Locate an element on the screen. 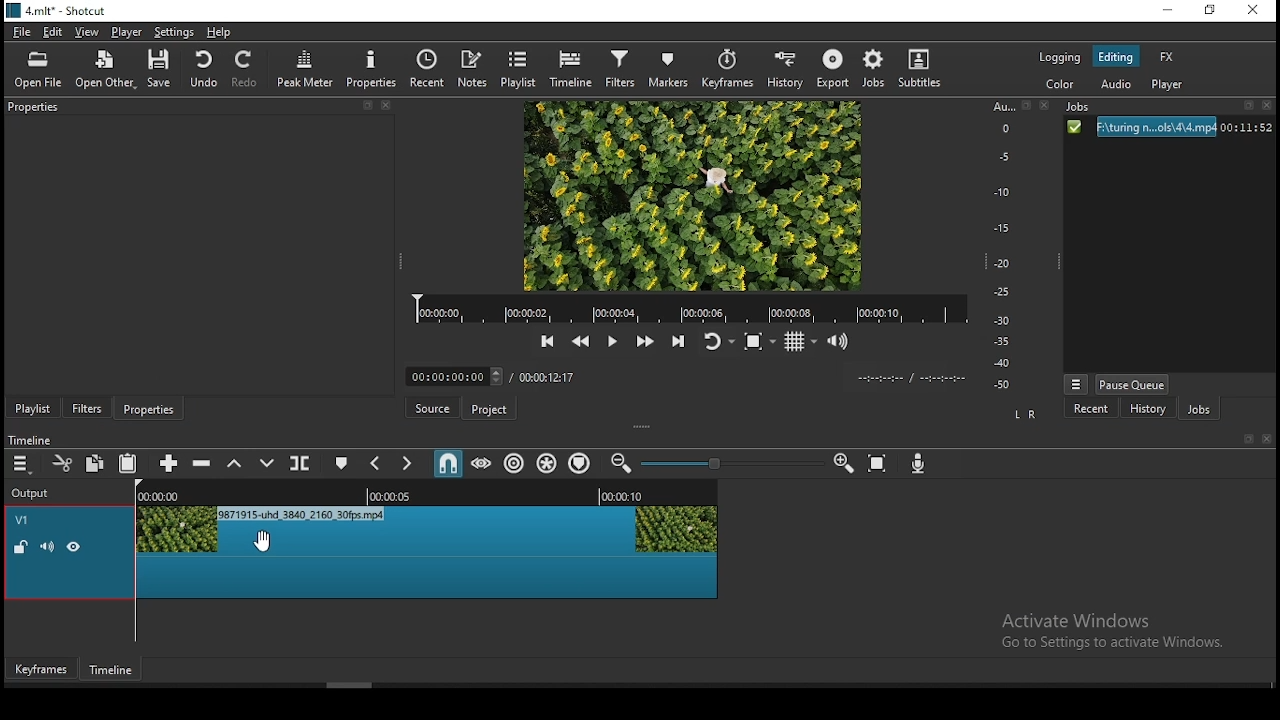  scale is located at coordinates (1006, 247).